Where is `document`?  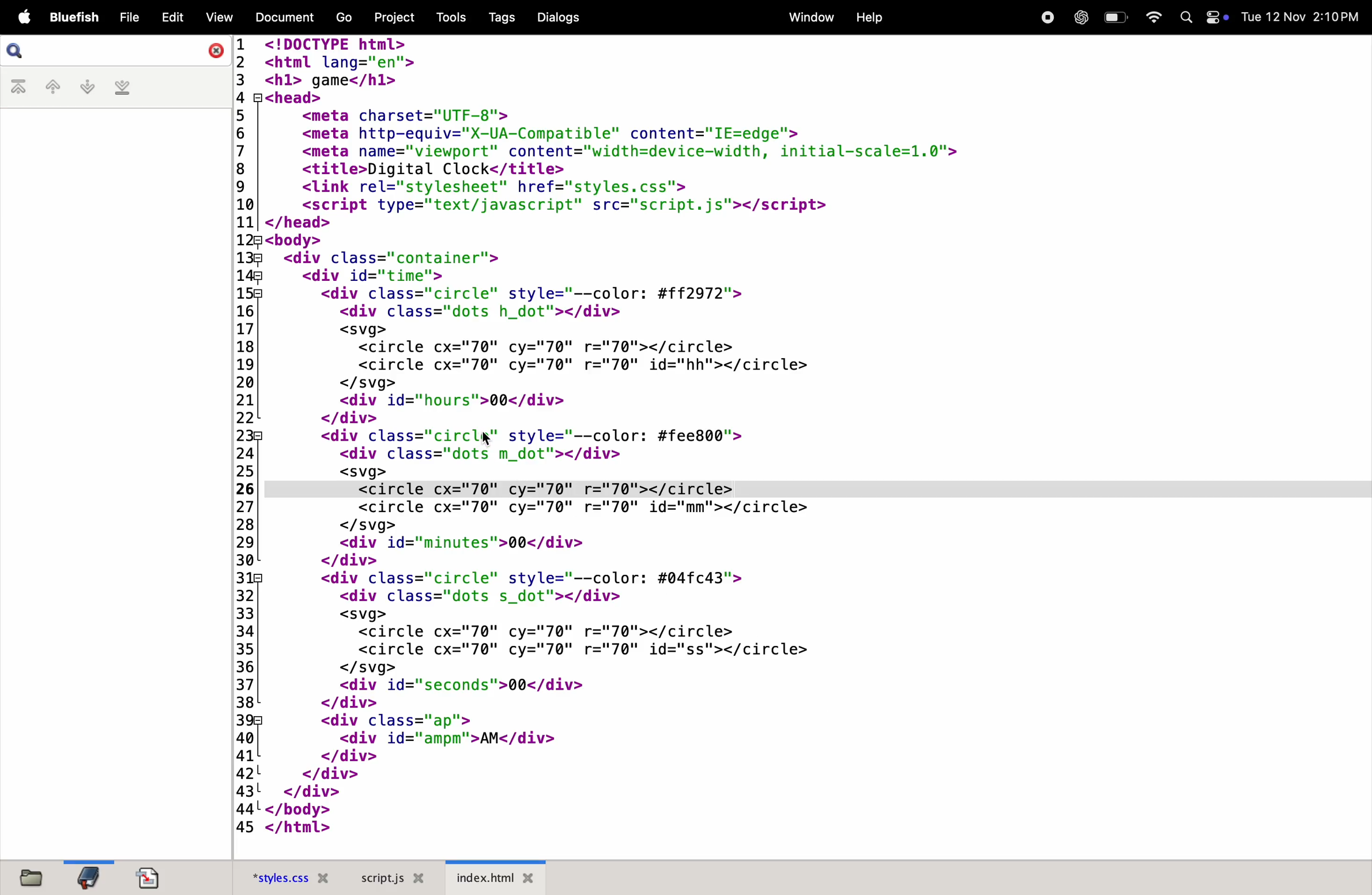
document is located at coordinates (288, 18).